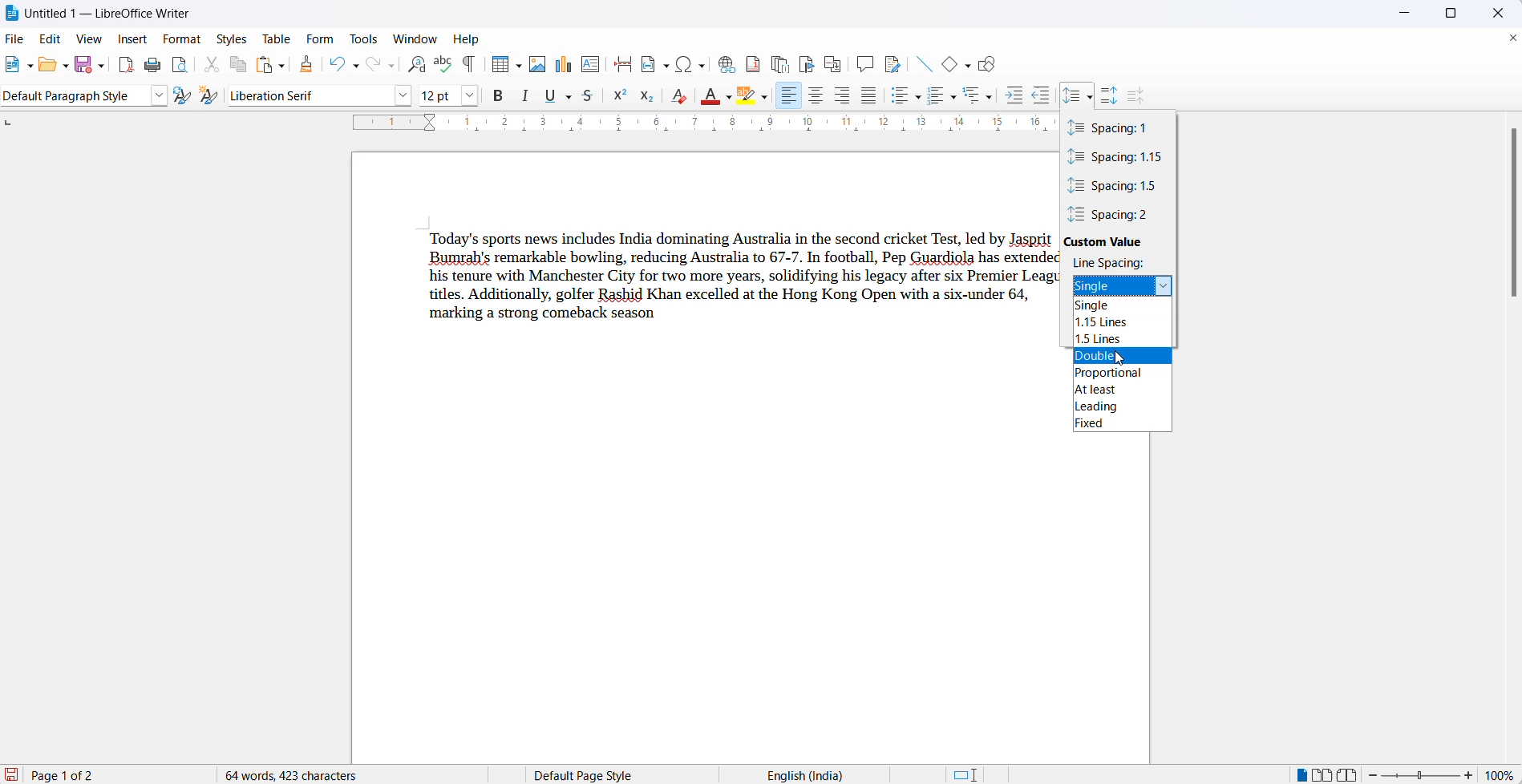  What do you see at coordinates (439, 96) in the screenshot?
I see `font size` at bounding box center [439, 96].